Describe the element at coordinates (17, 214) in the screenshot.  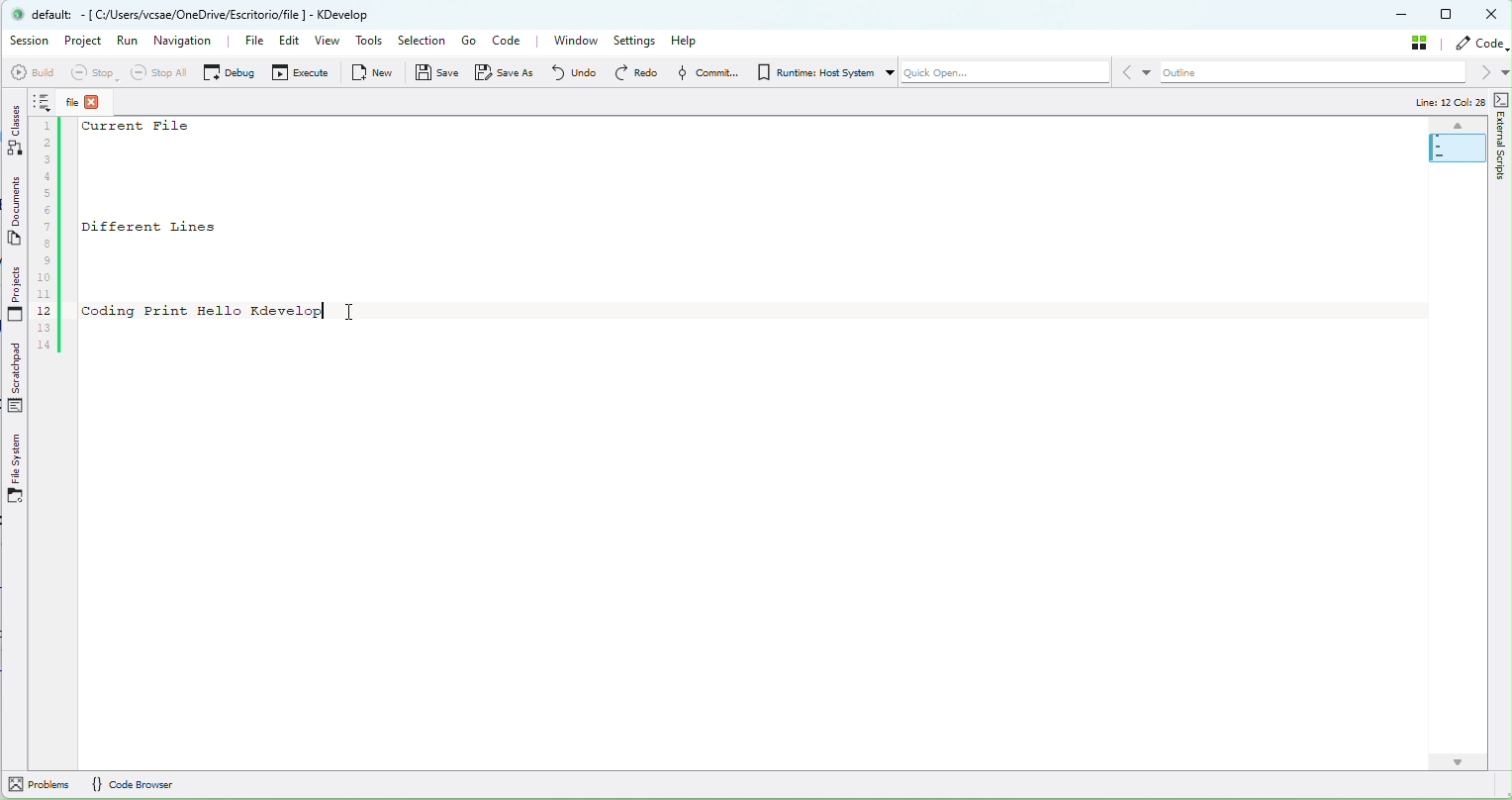
I see `Documents` at that location.